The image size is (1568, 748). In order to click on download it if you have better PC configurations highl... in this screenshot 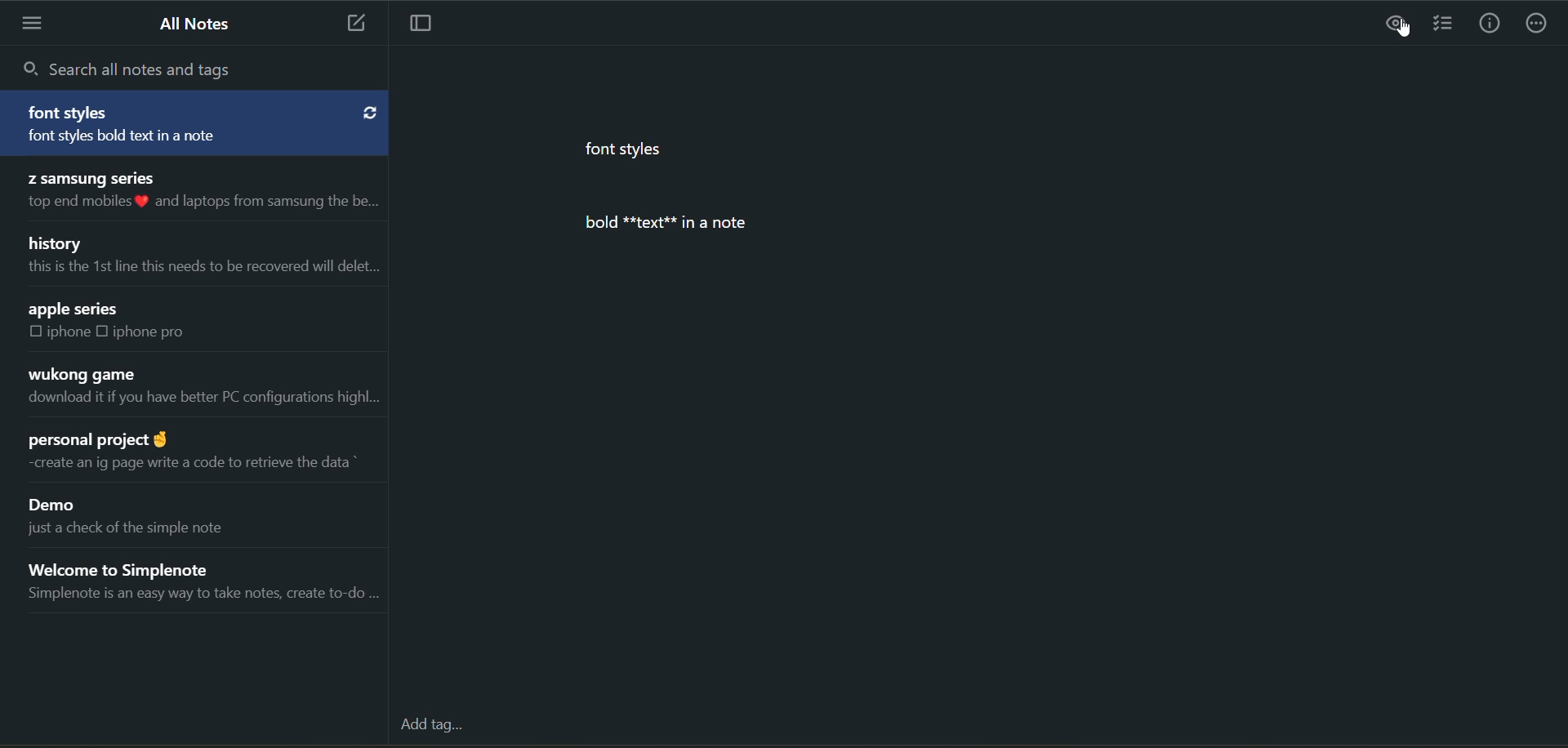, I will do `click(202, 401)`.